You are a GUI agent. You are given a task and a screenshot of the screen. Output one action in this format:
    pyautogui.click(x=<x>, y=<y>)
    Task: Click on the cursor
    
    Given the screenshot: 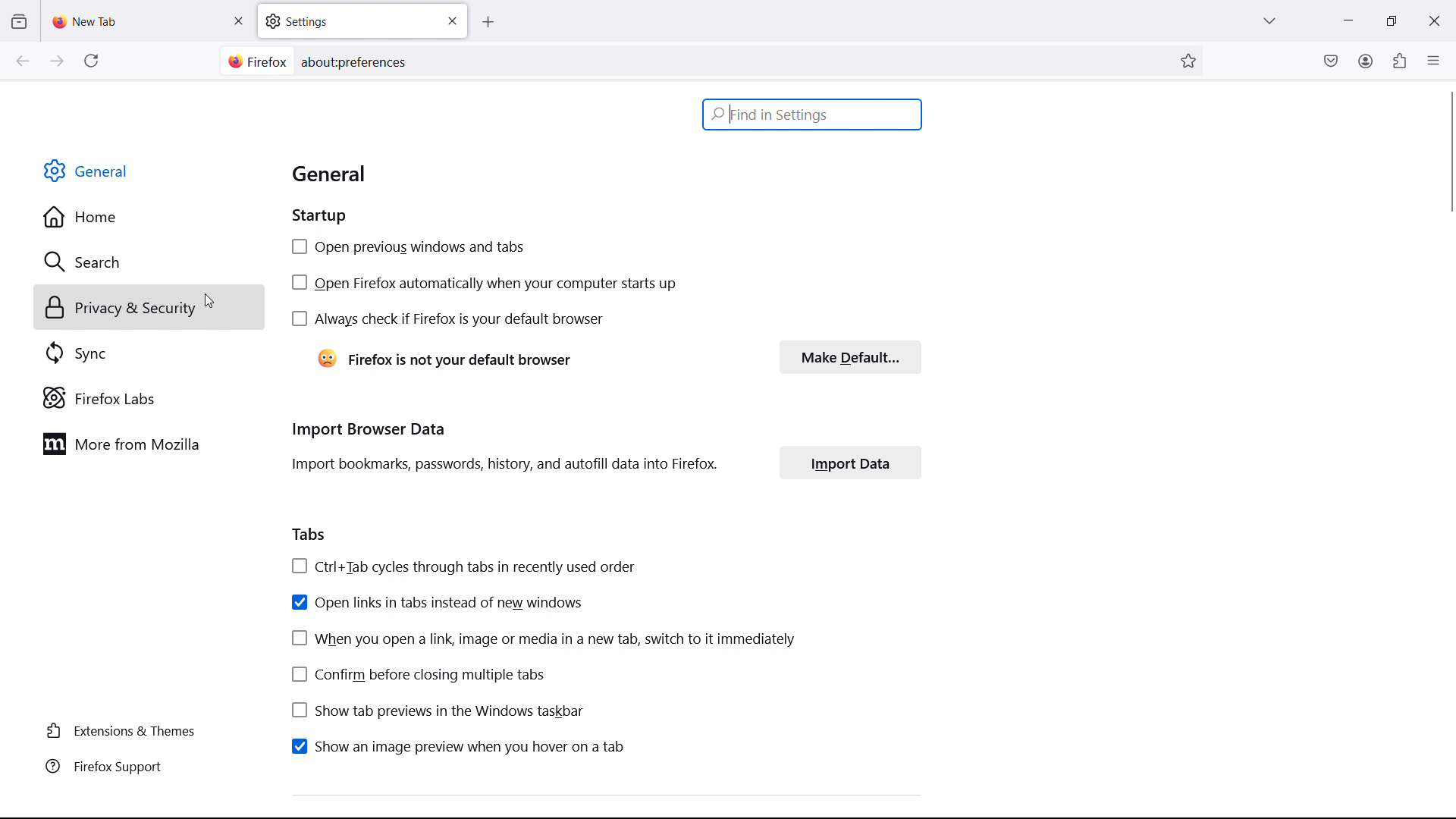 What is the action you would take?
    pyautogui.click(x=204, y=300)
    